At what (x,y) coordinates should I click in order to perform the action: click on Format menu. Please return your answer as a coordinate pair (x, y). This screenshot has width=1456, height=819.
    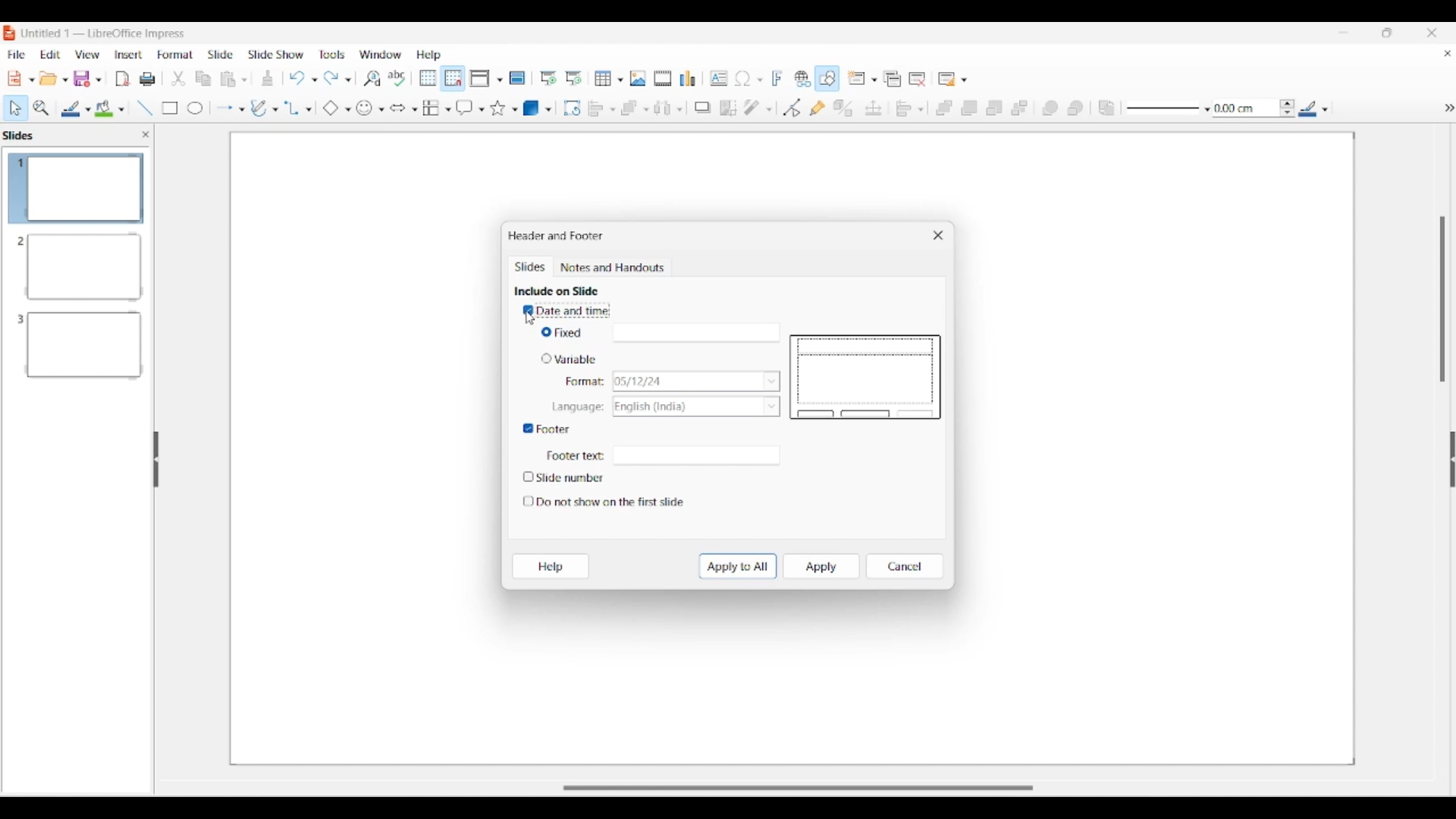
    Looking at the image, I should click on (175, 55).